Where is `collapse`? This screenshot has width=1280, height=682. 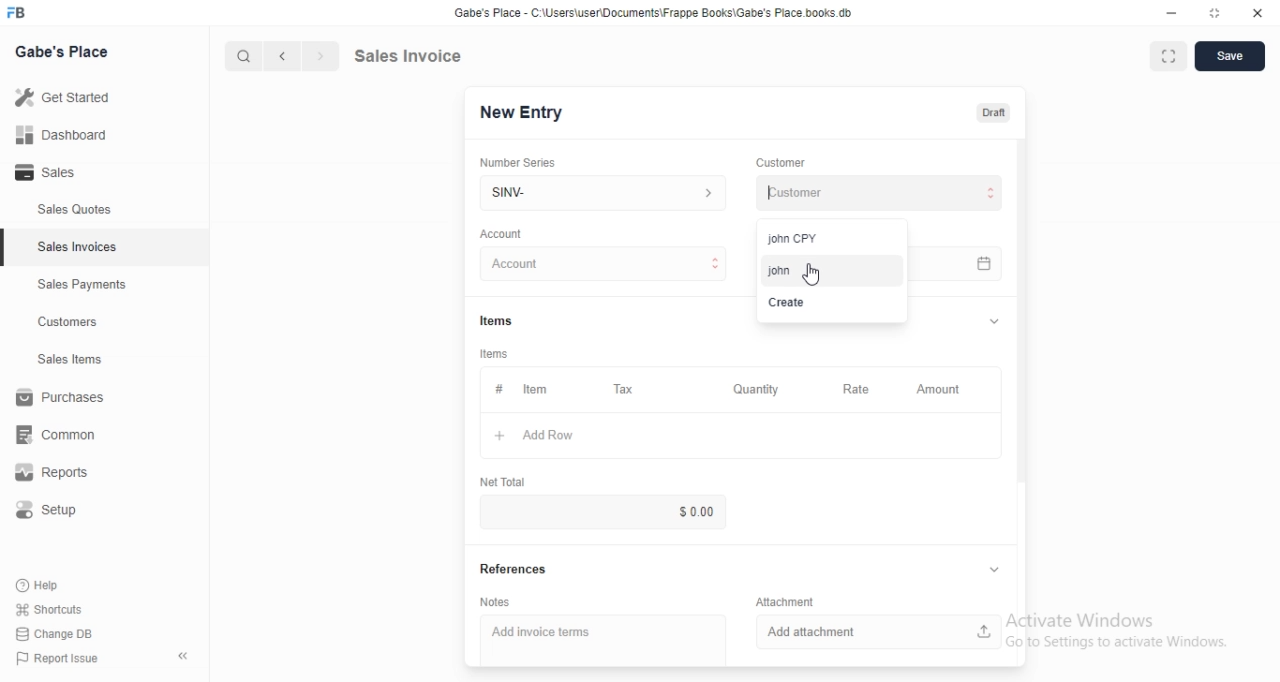
collapse is located at coordinates (185, 656).